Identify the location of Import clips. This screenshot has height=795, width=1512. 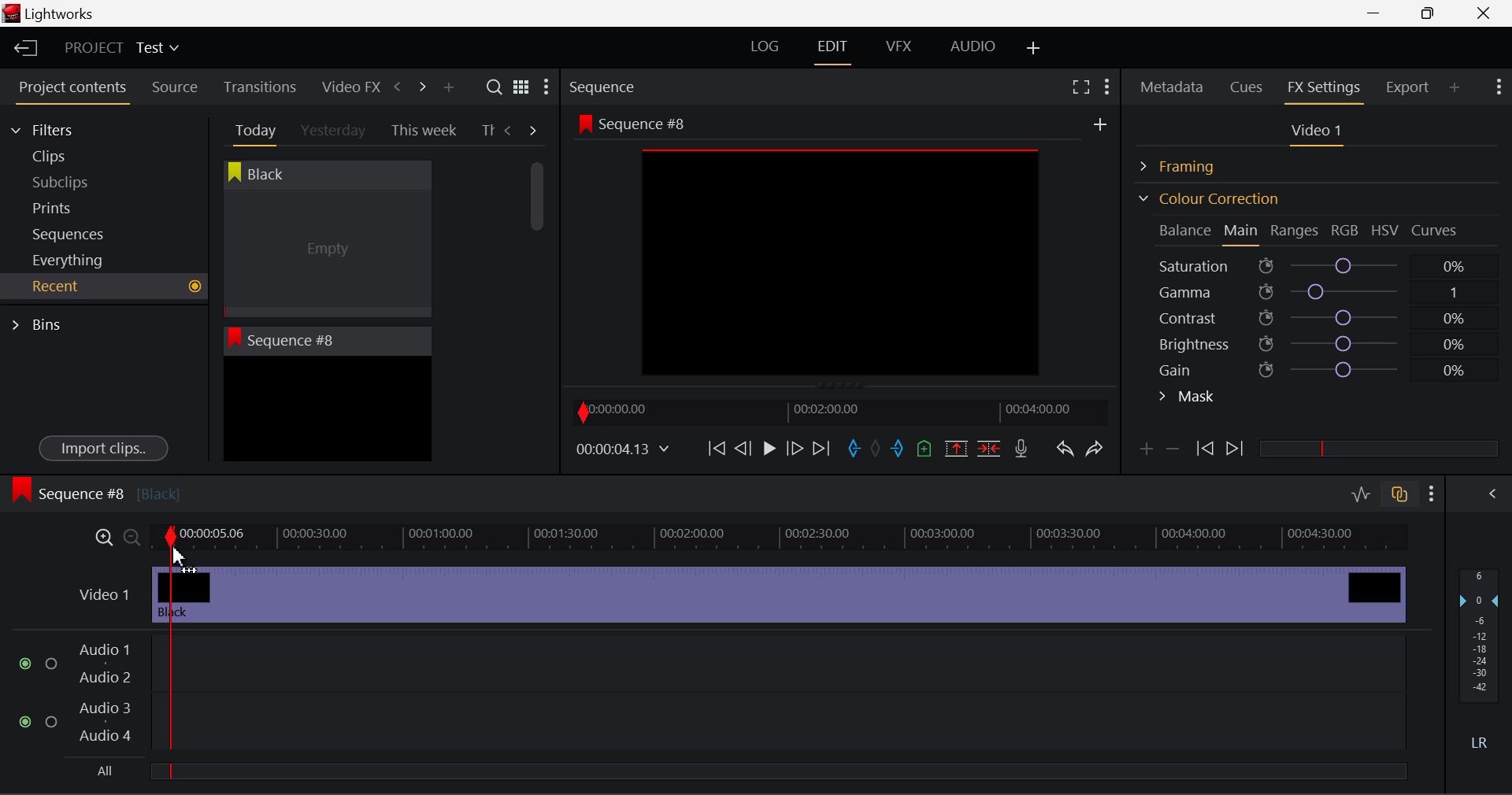
(103, 449).